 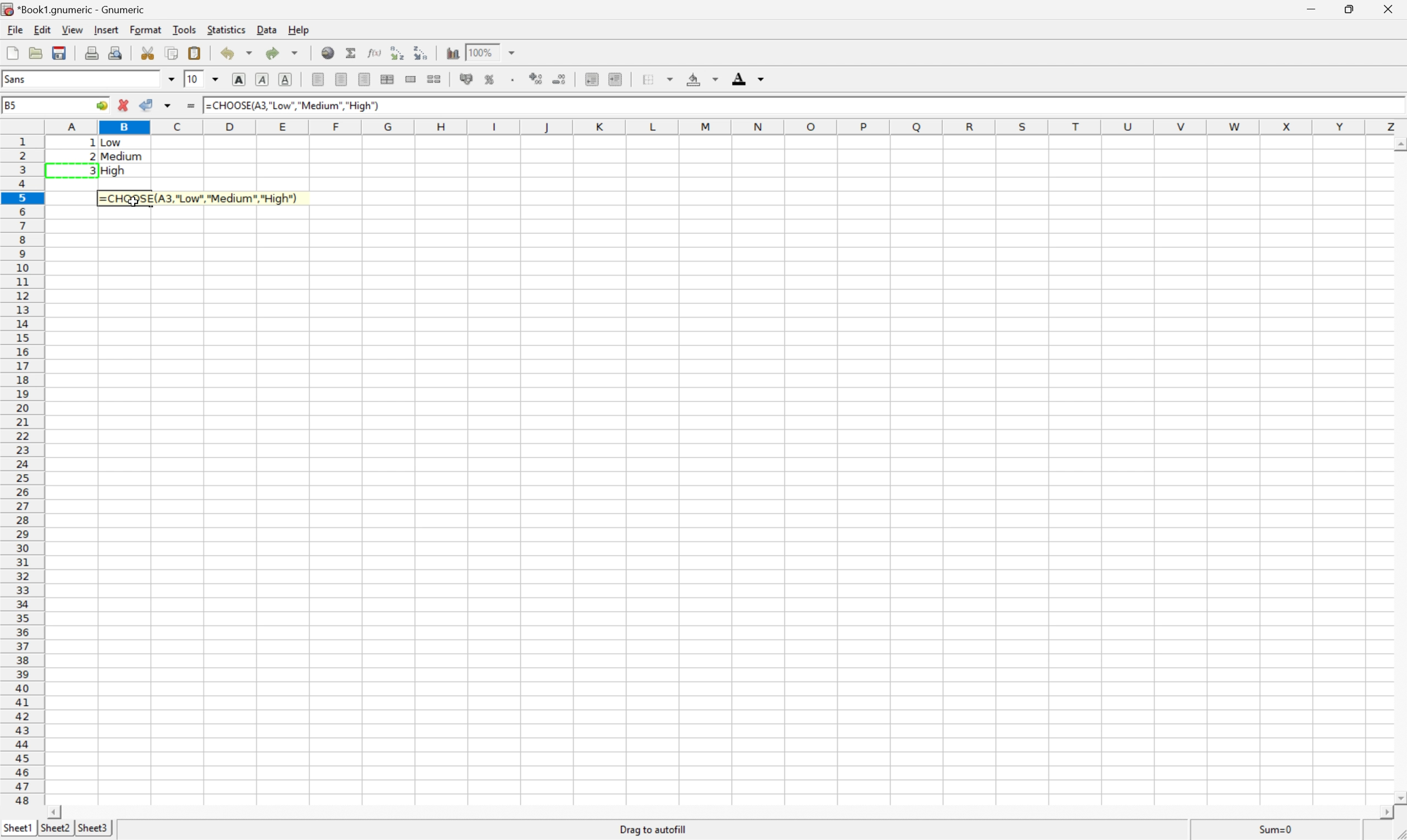 I want to click on 100%, so click(x=483, y=52).